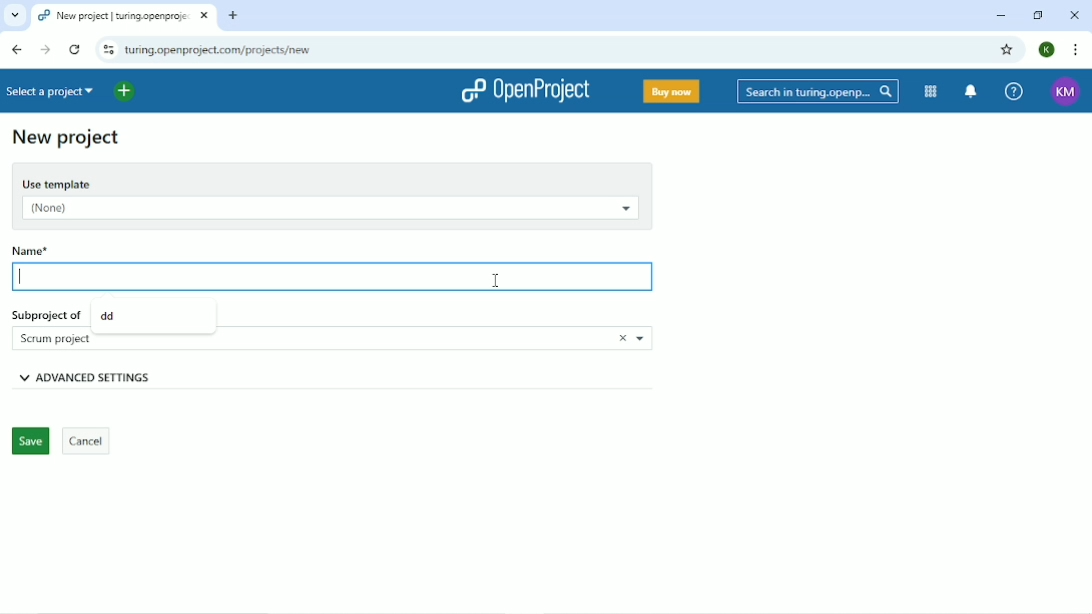 The height and width of the screenshot is (614, 1092). I want to click on Cursor, so click(496, 281).